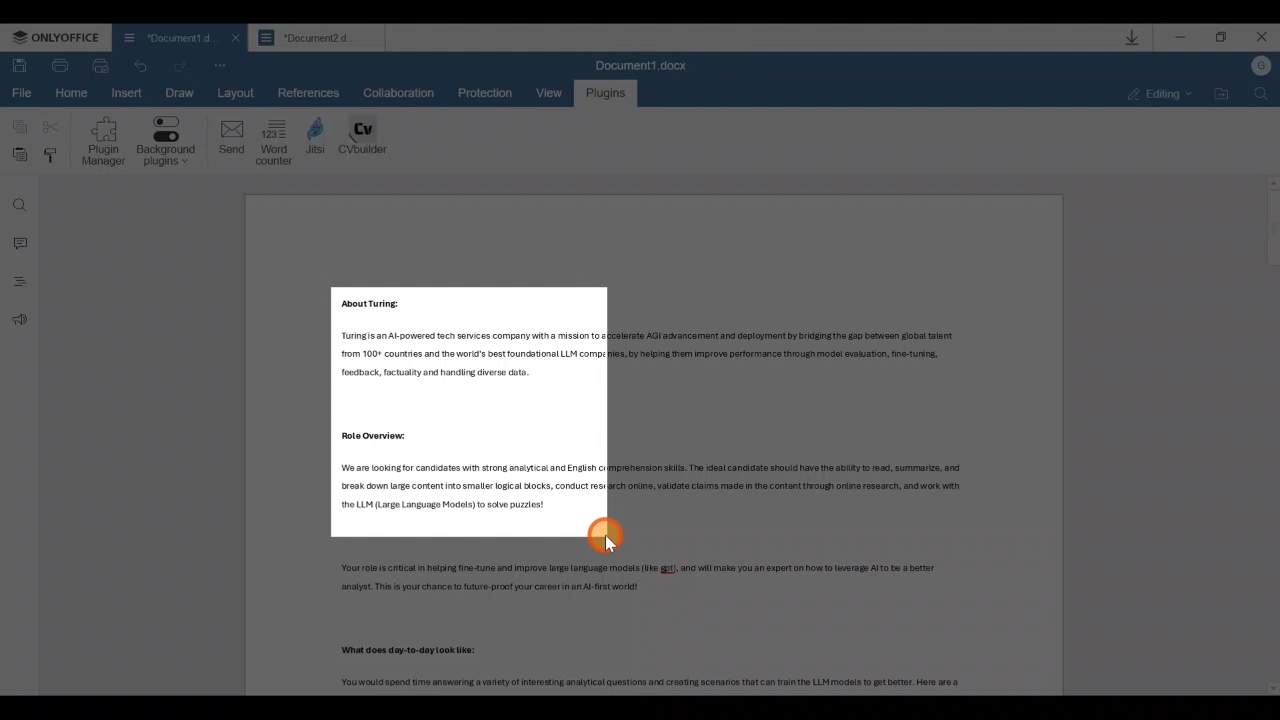 Image resolution: width=1280 pixels, height=720 pixels. I want to click on Customize quick access toolbar, so click(221, 66).